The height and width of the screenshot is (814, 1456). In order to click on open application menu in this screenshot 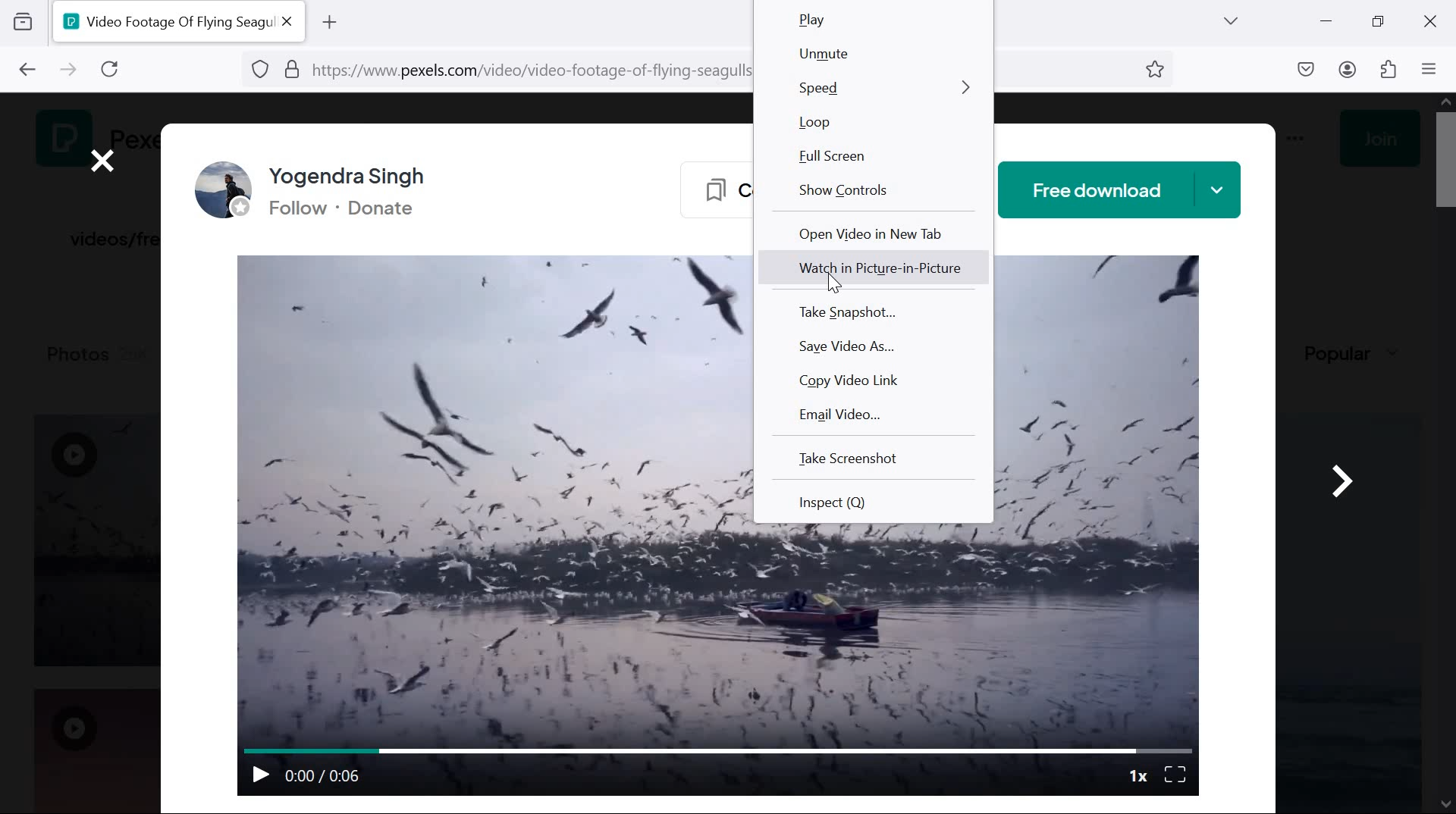, I will do `click(1432, 70)`.